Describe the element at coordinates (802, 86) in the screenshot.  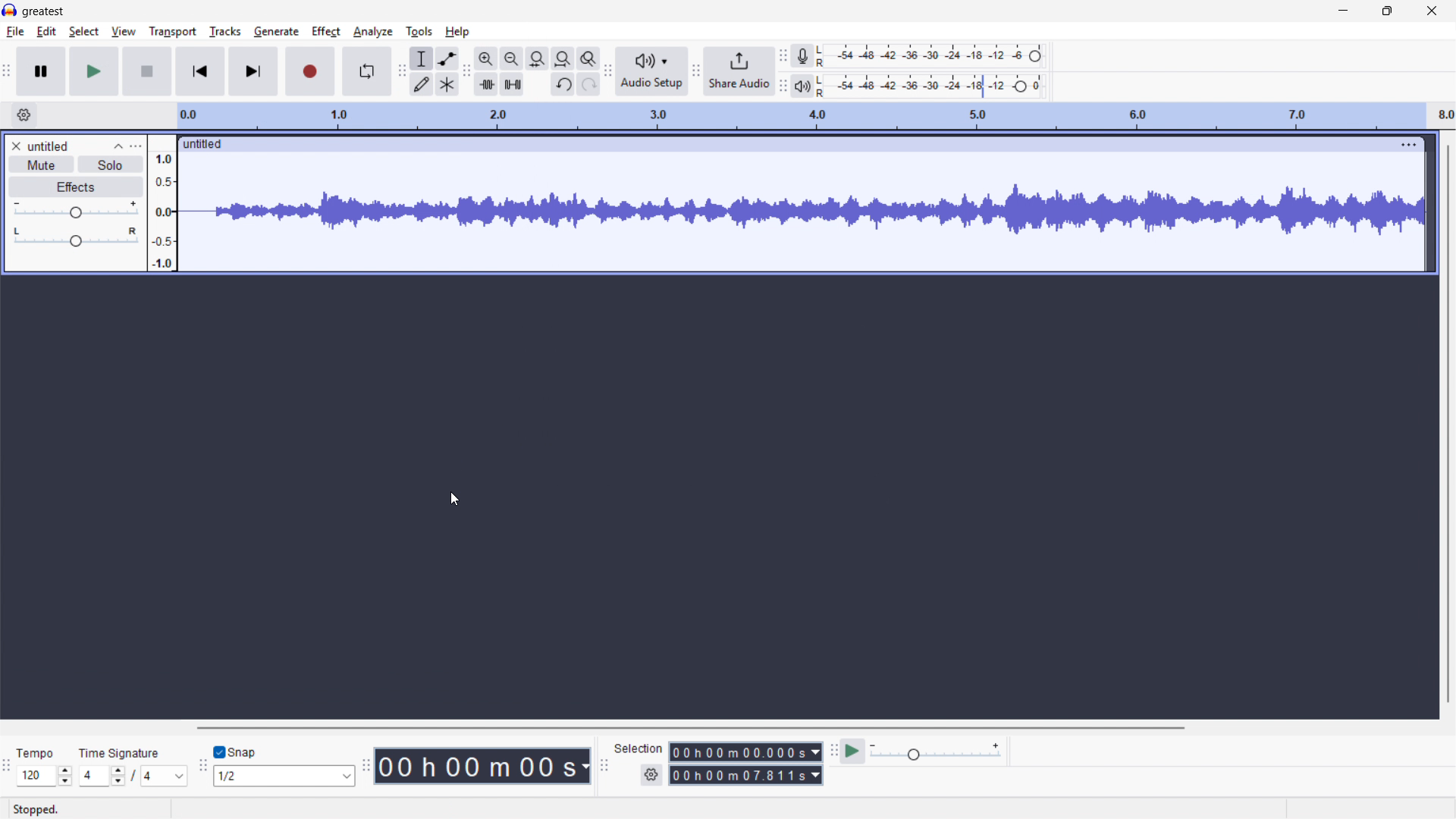
I see `playback metre` at that location.